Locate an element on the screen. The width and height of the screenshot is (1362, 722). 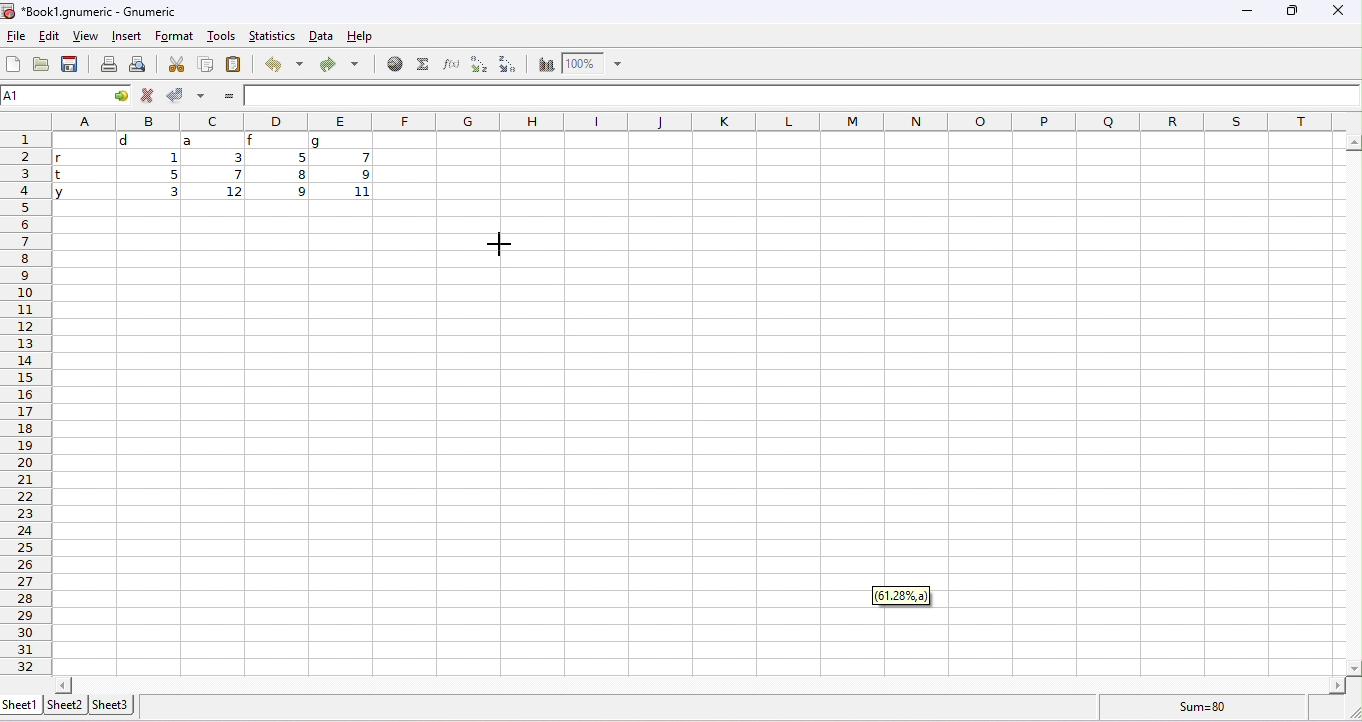
row numbers is located at coordinates (24, 405).